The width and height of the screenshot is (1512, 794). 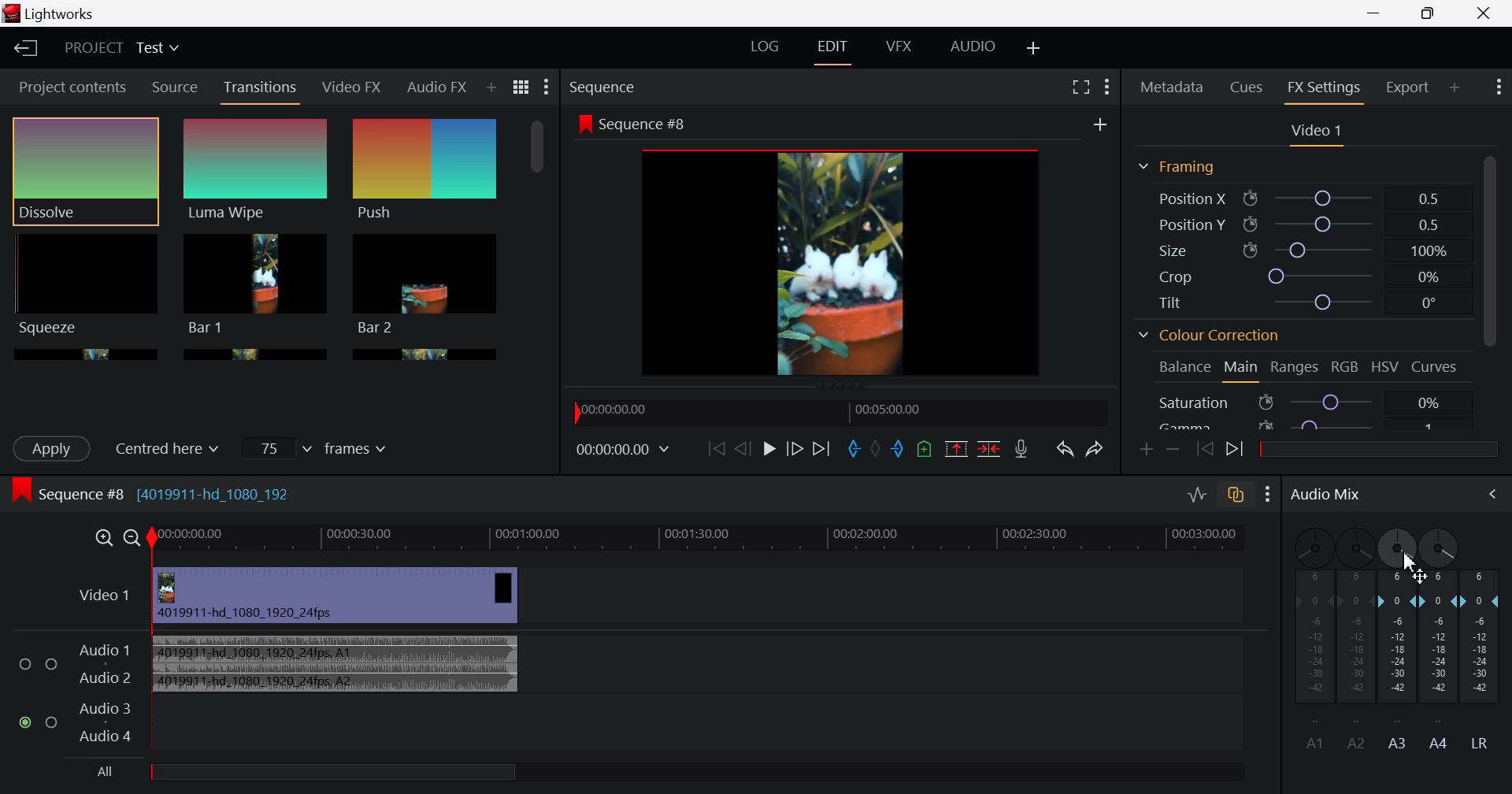 I want to click on Restore Down, so click(x=1374, y=14).